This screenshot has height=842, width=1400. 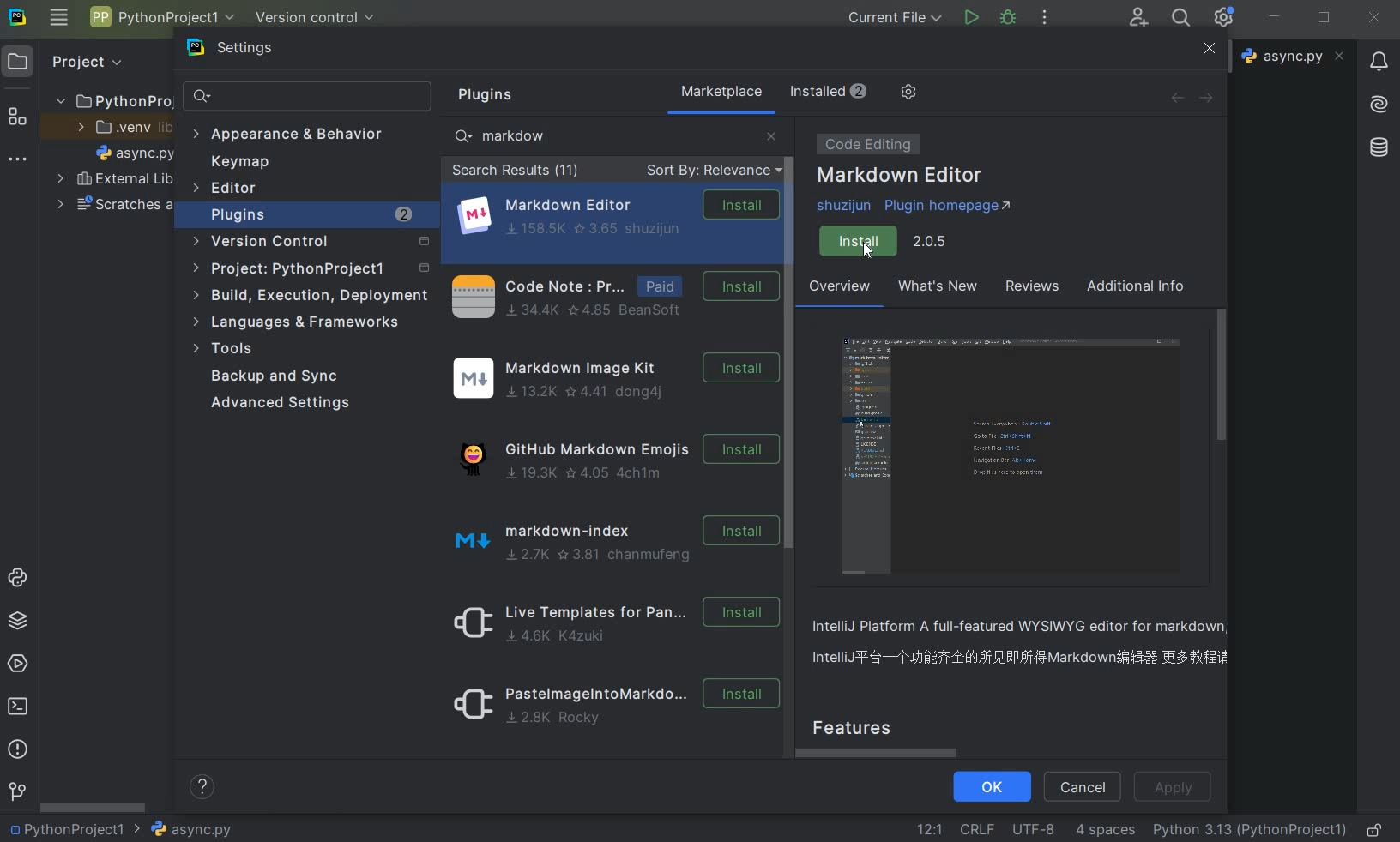 What do you see at coordinates (868, 725) in the screenshot?
I see `features` at bounding box center [868, 725].